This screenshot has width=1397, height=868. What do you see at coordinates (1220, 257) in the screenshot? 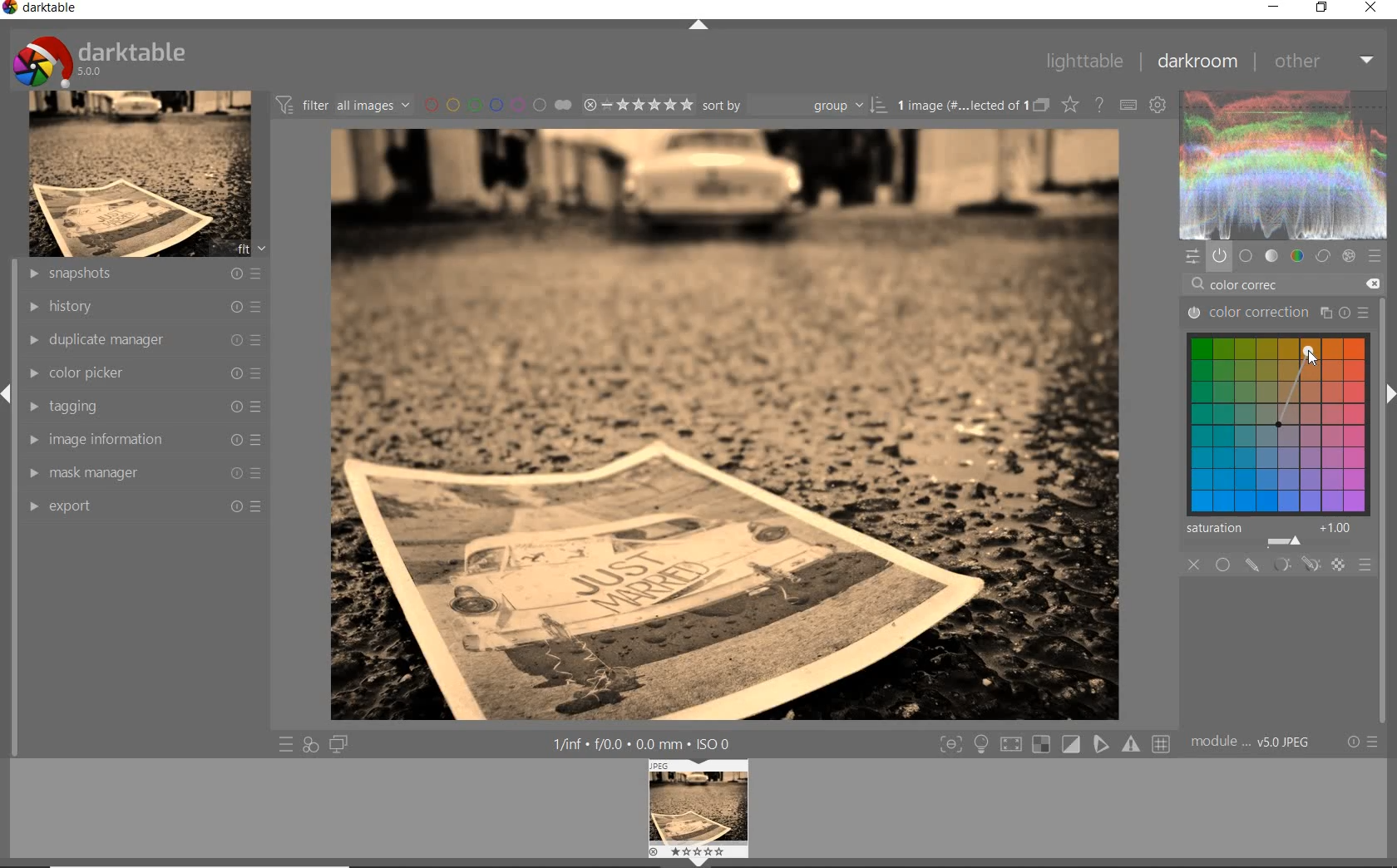
I see `show only active module` at bounding box center [1220, 257].